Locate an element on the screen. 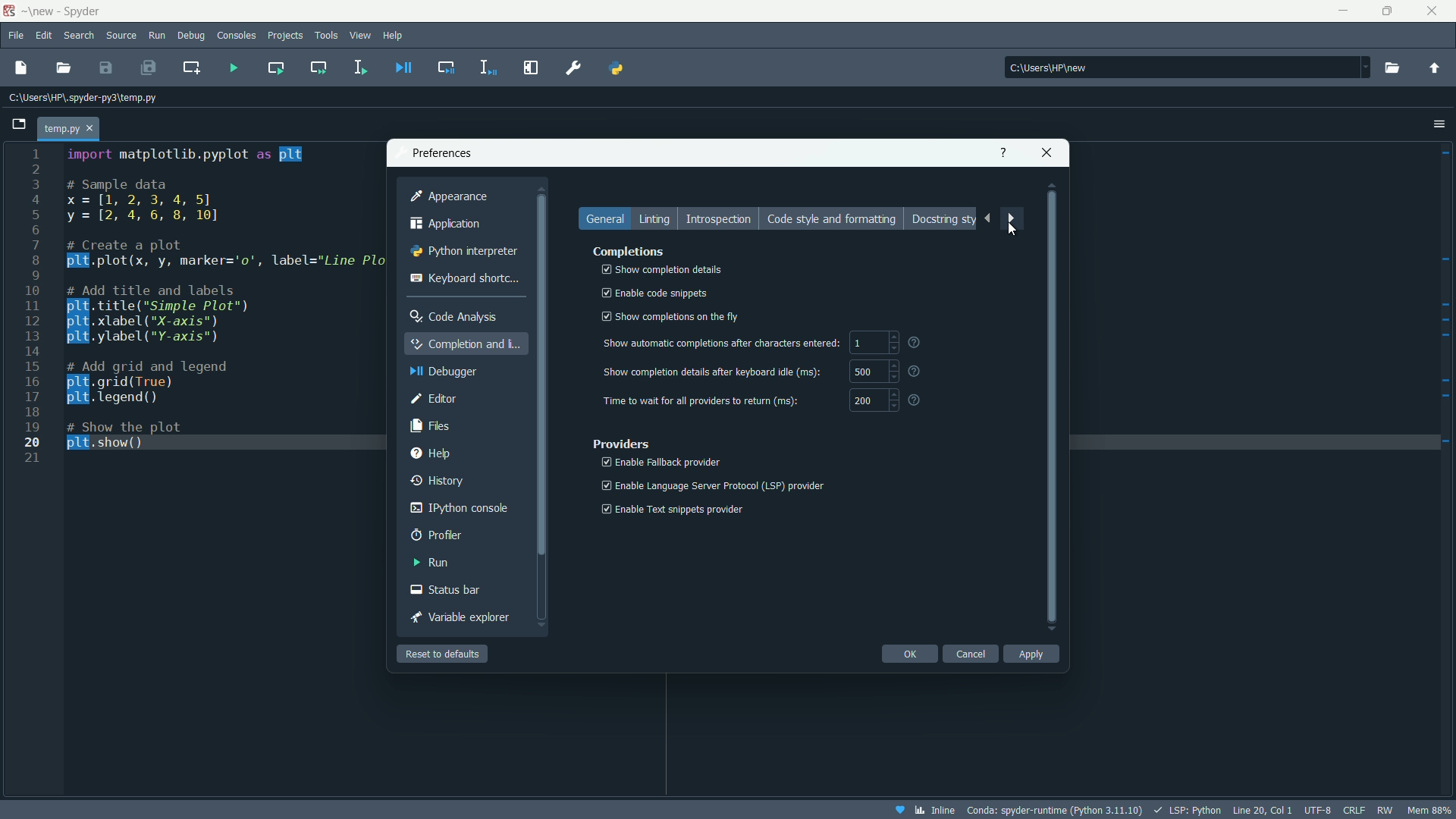  completion and linting is located at coordinates (468, 343).